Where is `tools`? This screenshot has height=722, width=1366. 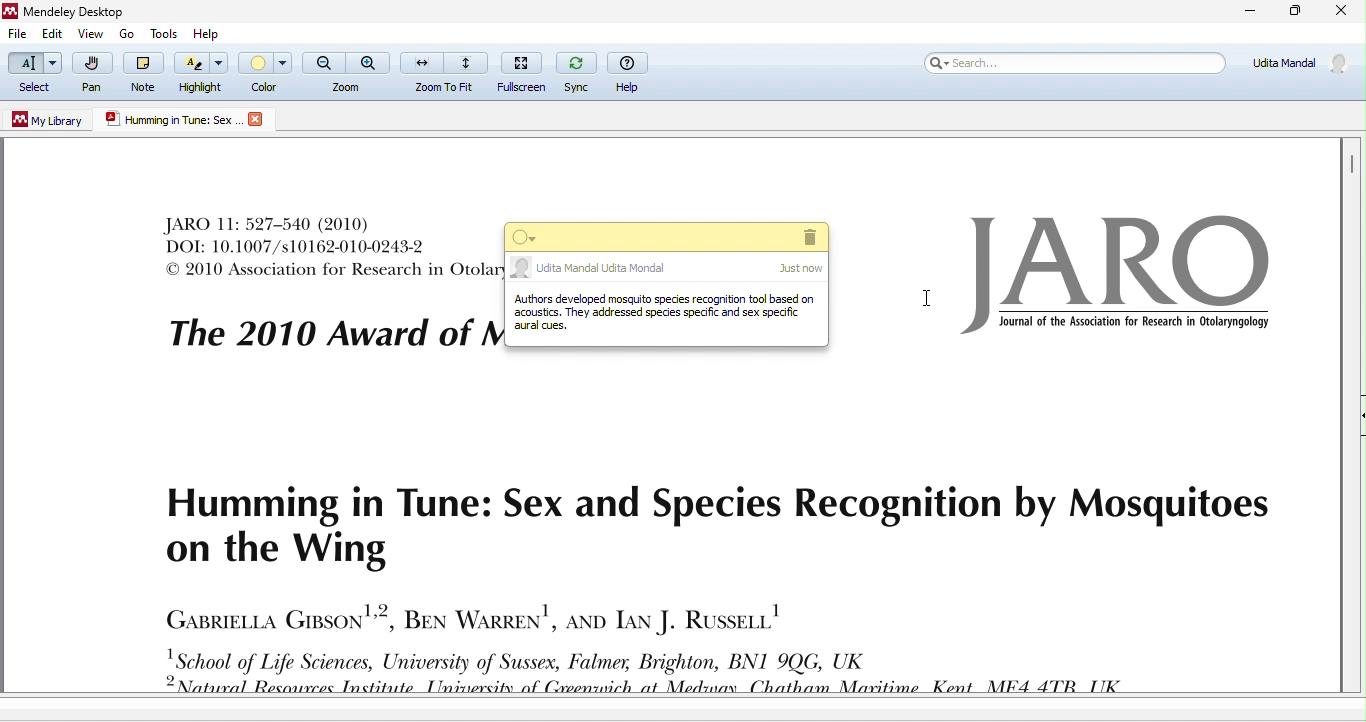
tools is located at coordinates (162, 32).